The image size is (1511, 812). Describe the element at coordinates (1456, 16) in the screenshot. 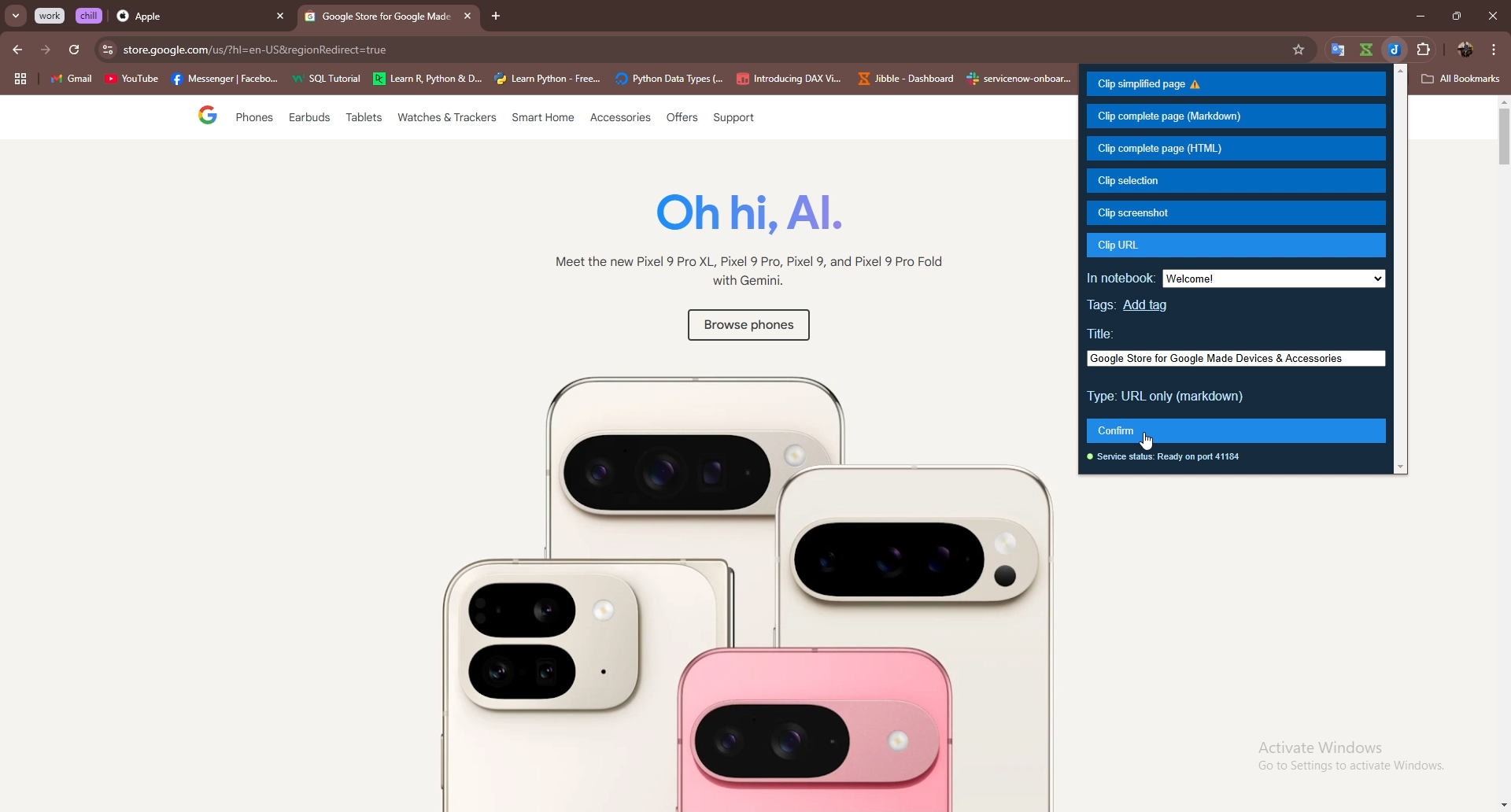

I see `resize` at that location.